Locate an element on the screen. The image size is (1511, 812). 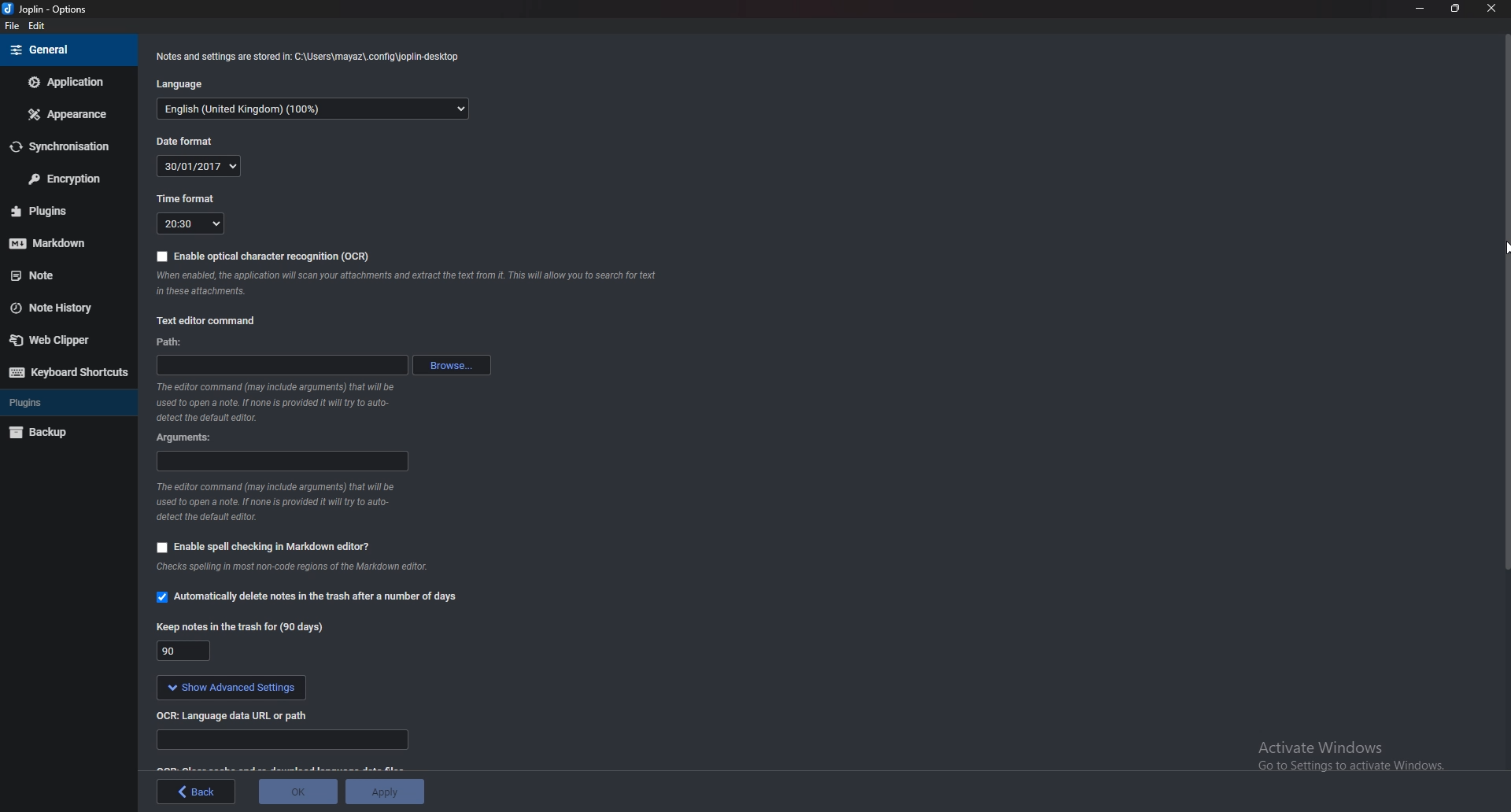
Arguments is located at coordinates (280, 461).